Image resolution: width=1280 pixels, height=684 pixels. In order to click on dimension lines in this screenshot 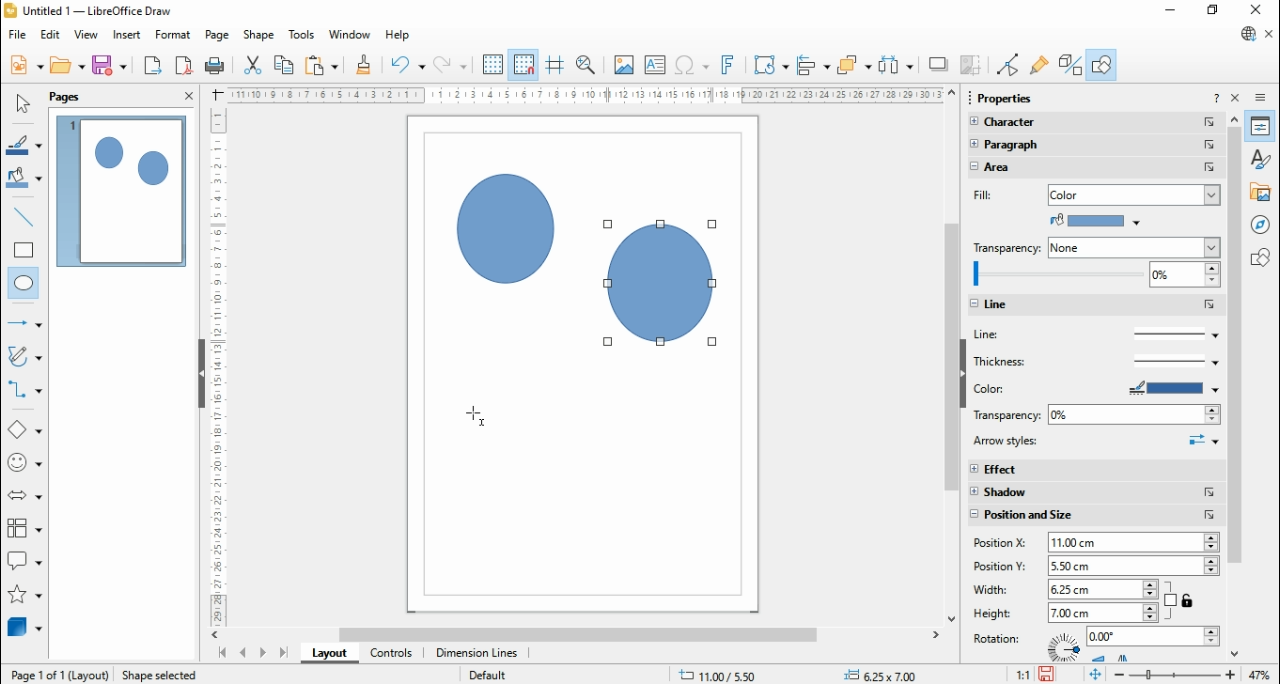, I will do `click(478, 653)`.